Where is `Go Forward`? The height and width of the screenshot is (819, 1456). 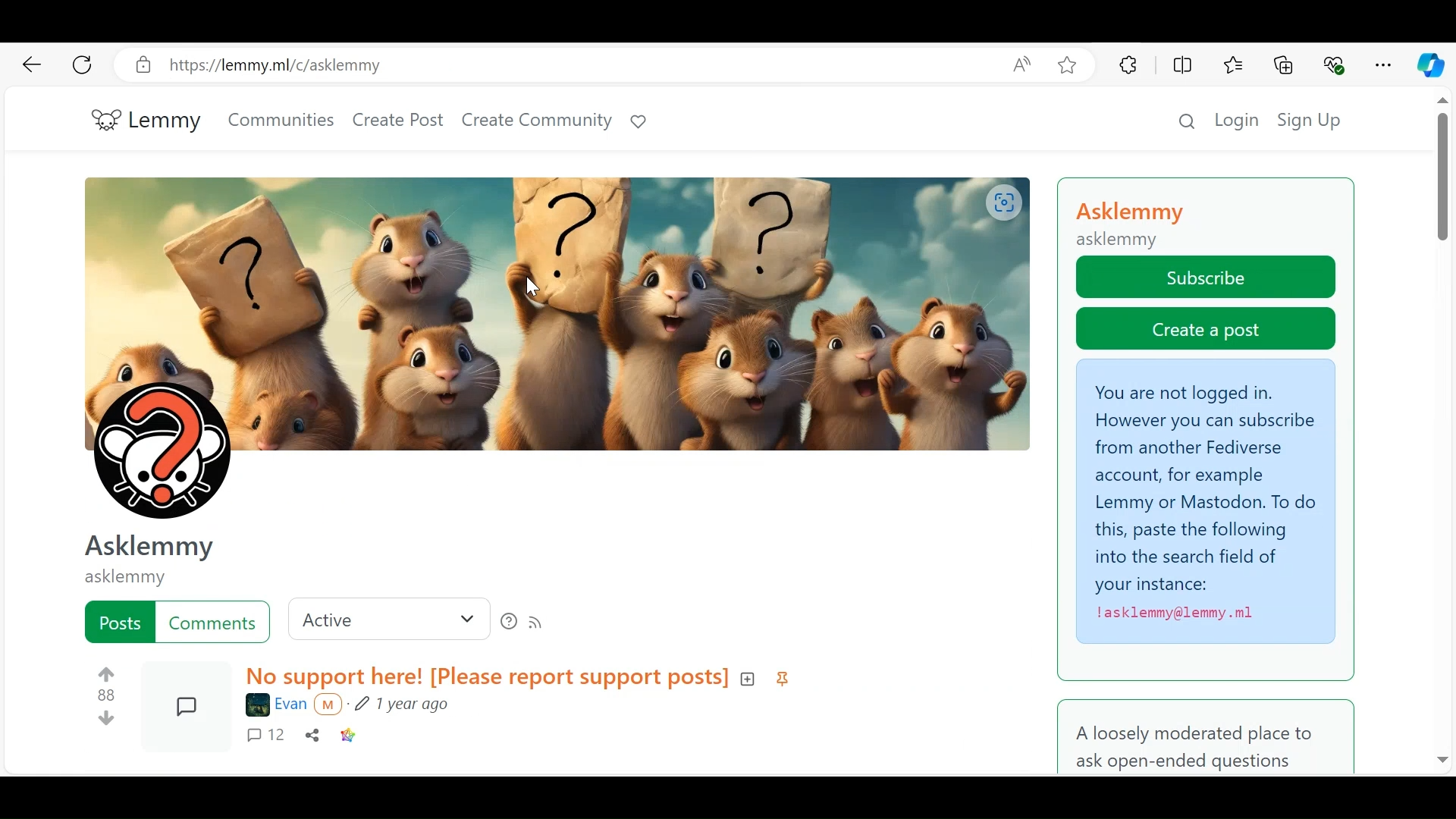
Go Forward is located at coordinates (83, 65).